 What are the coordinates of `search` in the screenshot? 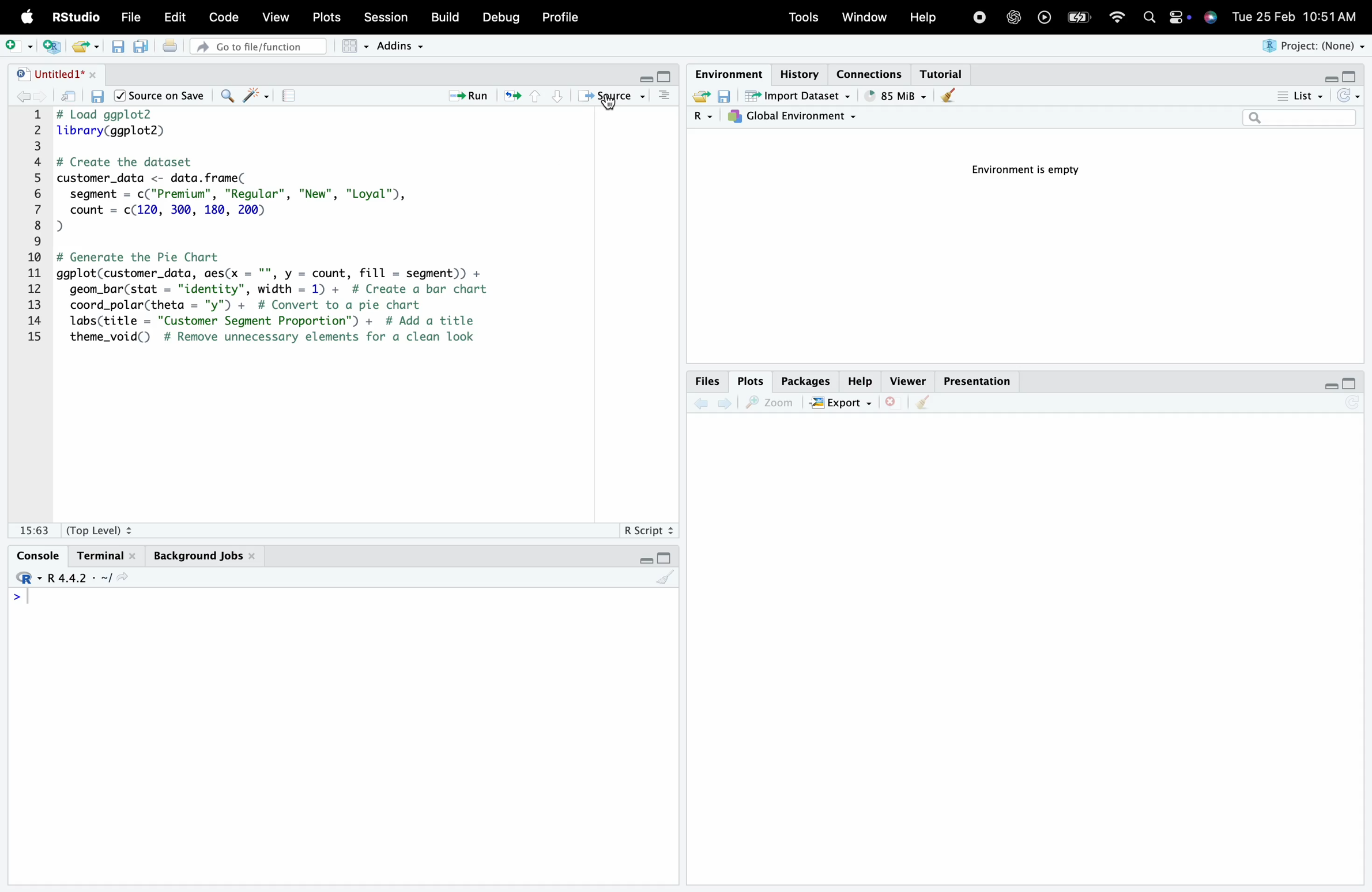 It's located at (1153, 19).